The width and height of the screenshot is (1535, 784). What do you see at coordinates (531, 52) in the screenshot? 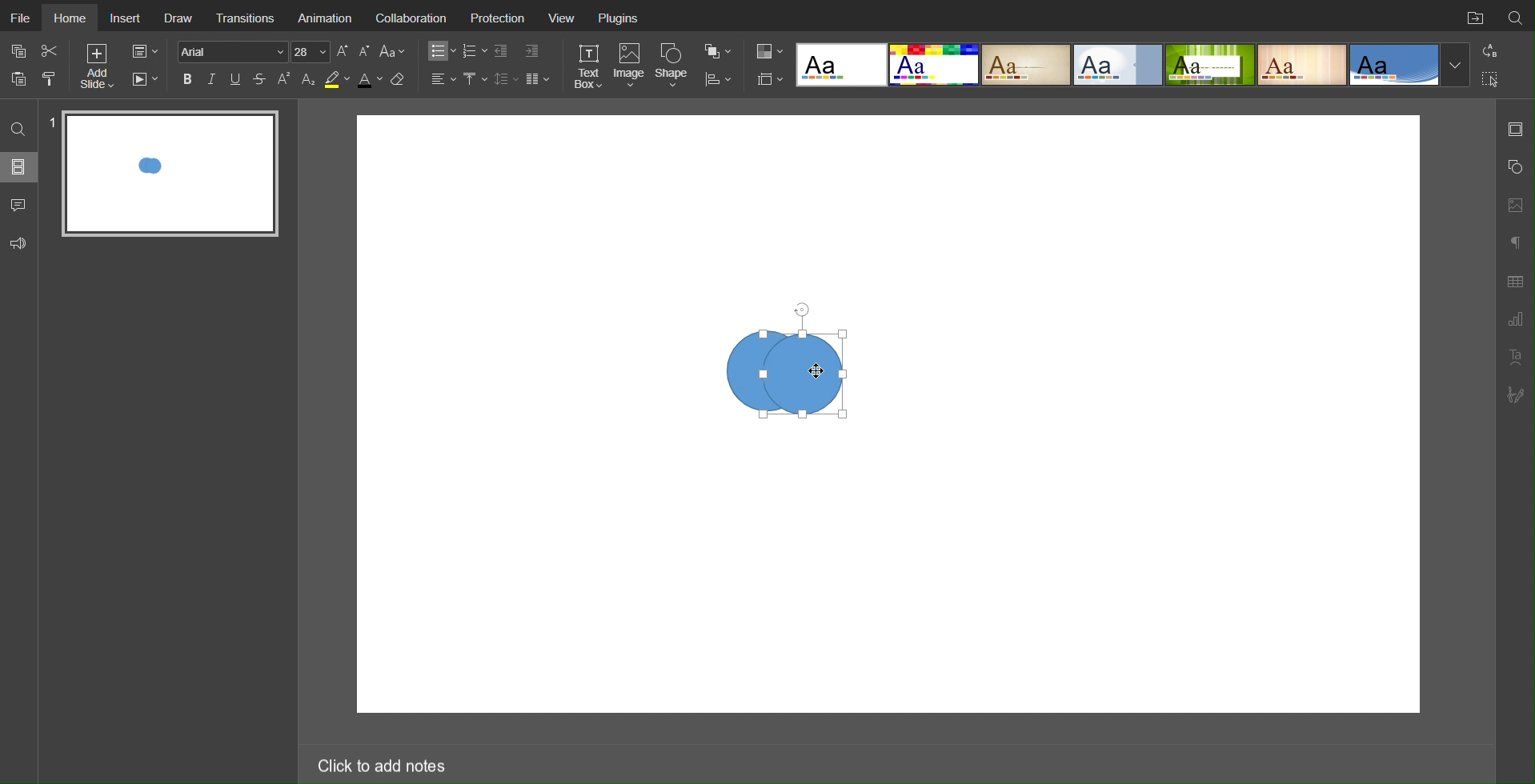
I see `Increase Indent` at bounding box center [531, 52].